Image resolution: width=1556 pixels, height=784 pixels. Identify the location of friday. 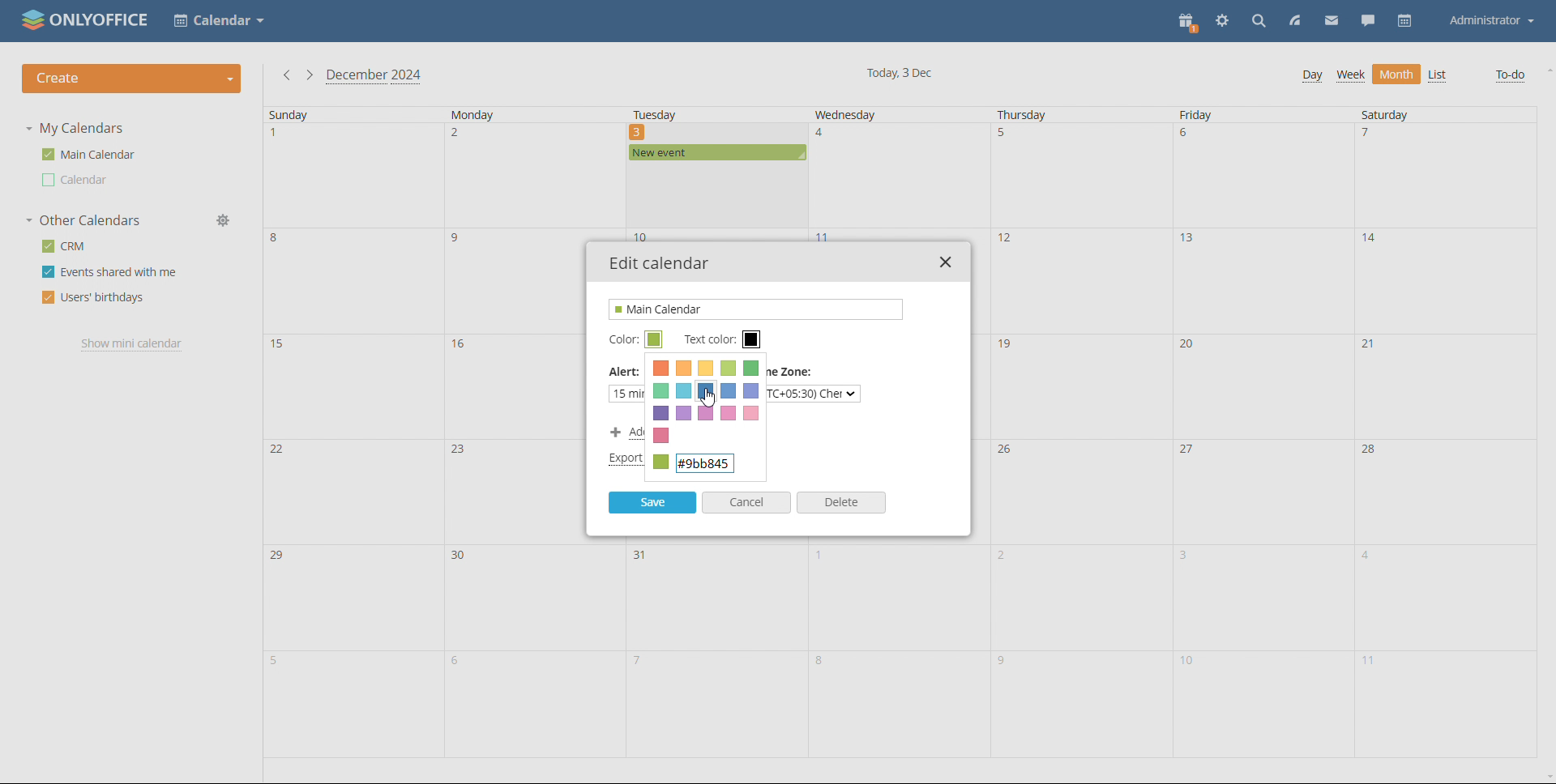
(1220, 115).